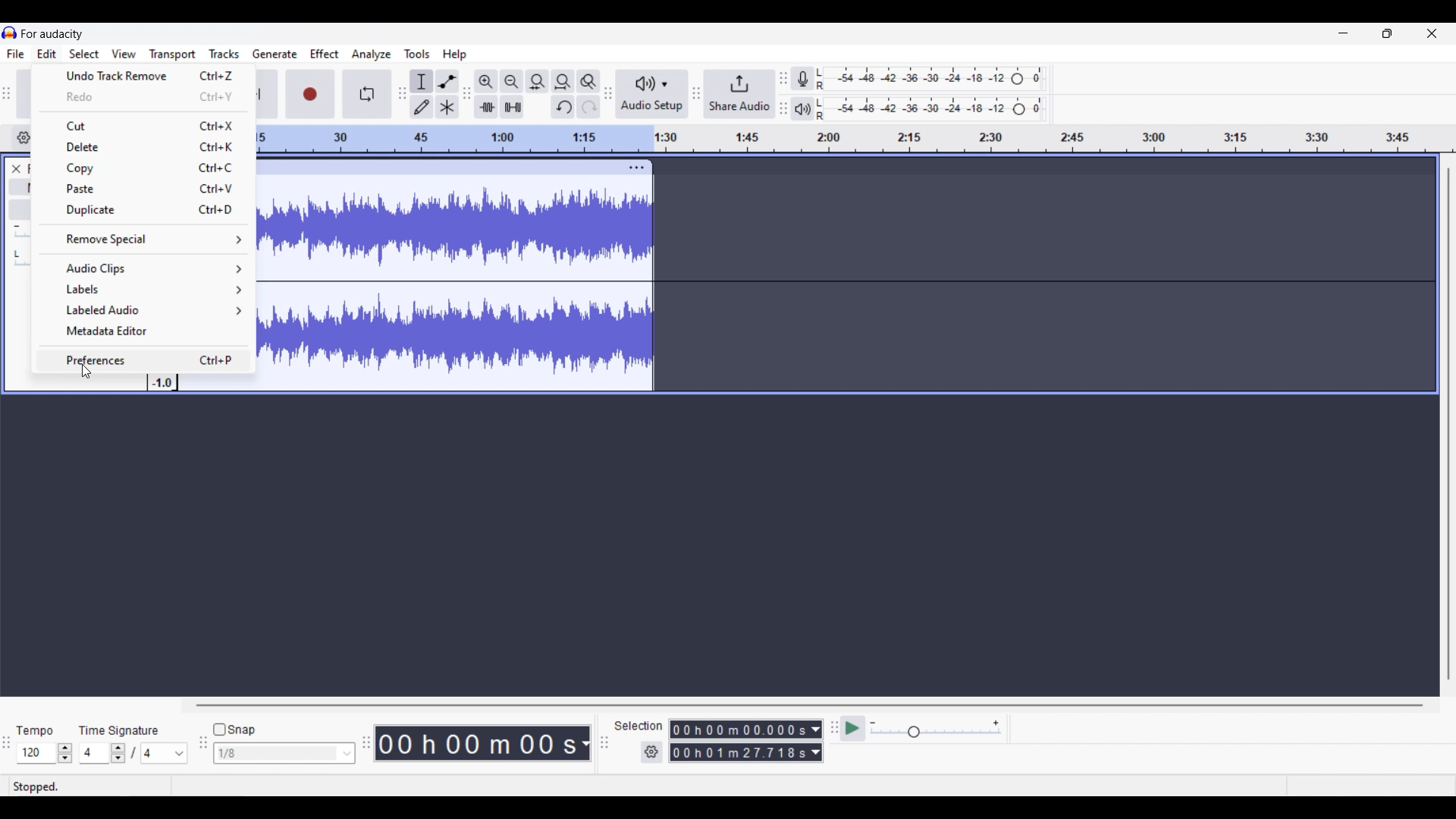 This screenshot has width=1456, height=819. What do you see at coordinates (10, 33) in the screenshot?
I see `Software logo` at bounding box center [10, 33].